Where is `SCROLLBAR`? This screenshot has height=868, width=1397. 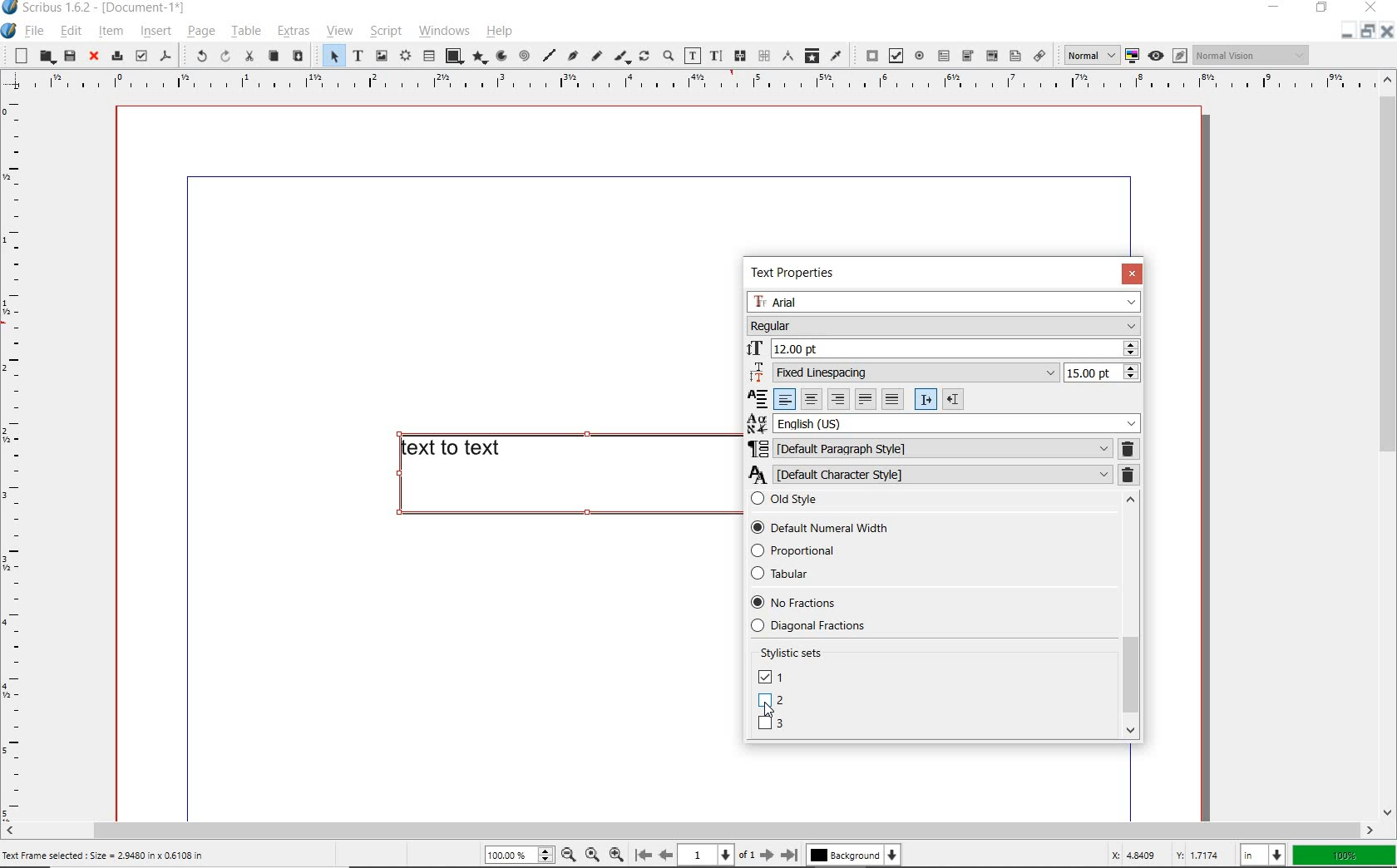 SCROLLBAR is located at coordinates (1132, 616).